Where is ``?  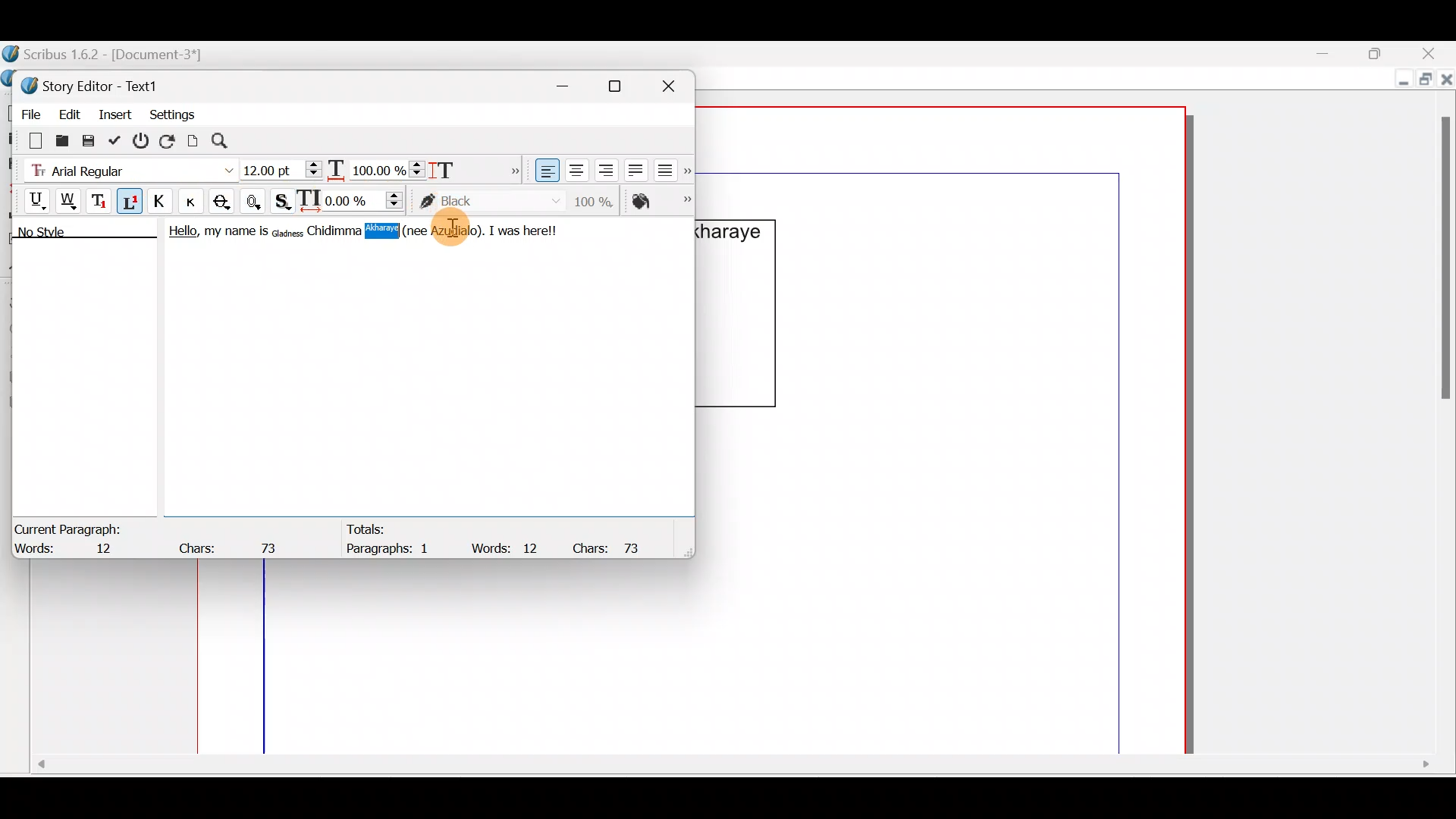
 is located at coordinates (196, 201).